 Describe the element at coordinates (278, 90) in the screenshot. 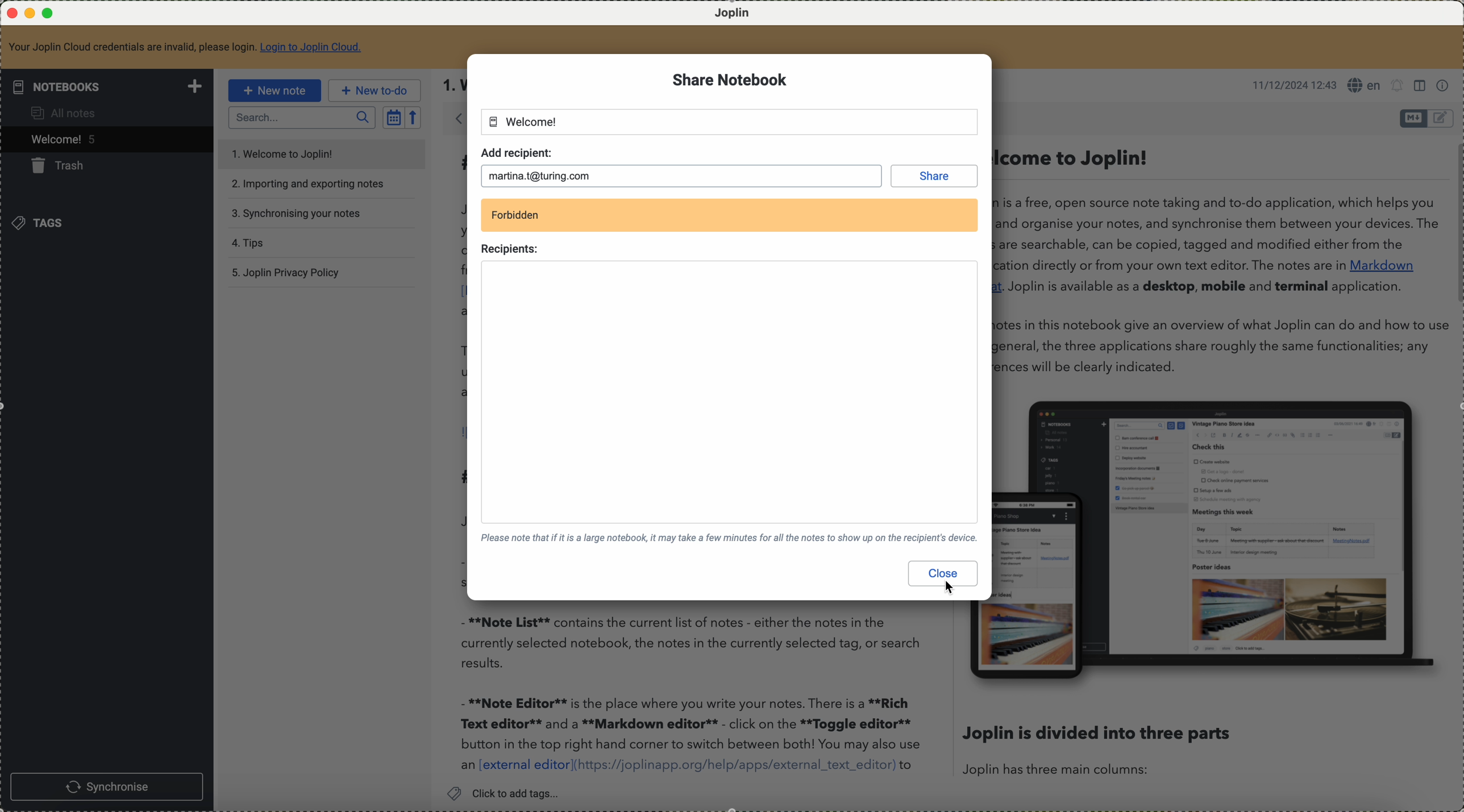

I see `new note` at that location.